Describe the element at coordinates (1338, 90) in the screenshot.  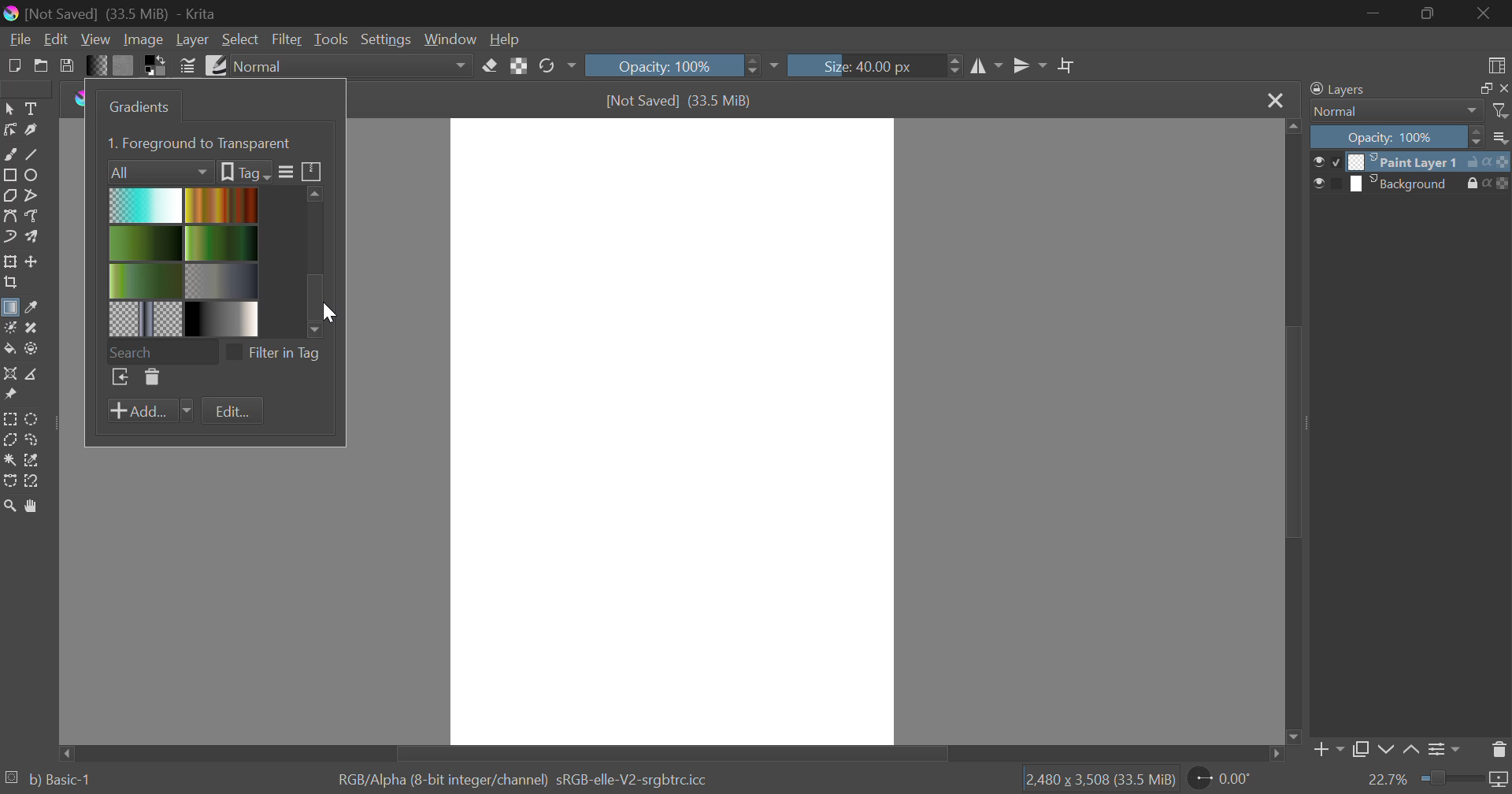
I see `Layers` at that location.